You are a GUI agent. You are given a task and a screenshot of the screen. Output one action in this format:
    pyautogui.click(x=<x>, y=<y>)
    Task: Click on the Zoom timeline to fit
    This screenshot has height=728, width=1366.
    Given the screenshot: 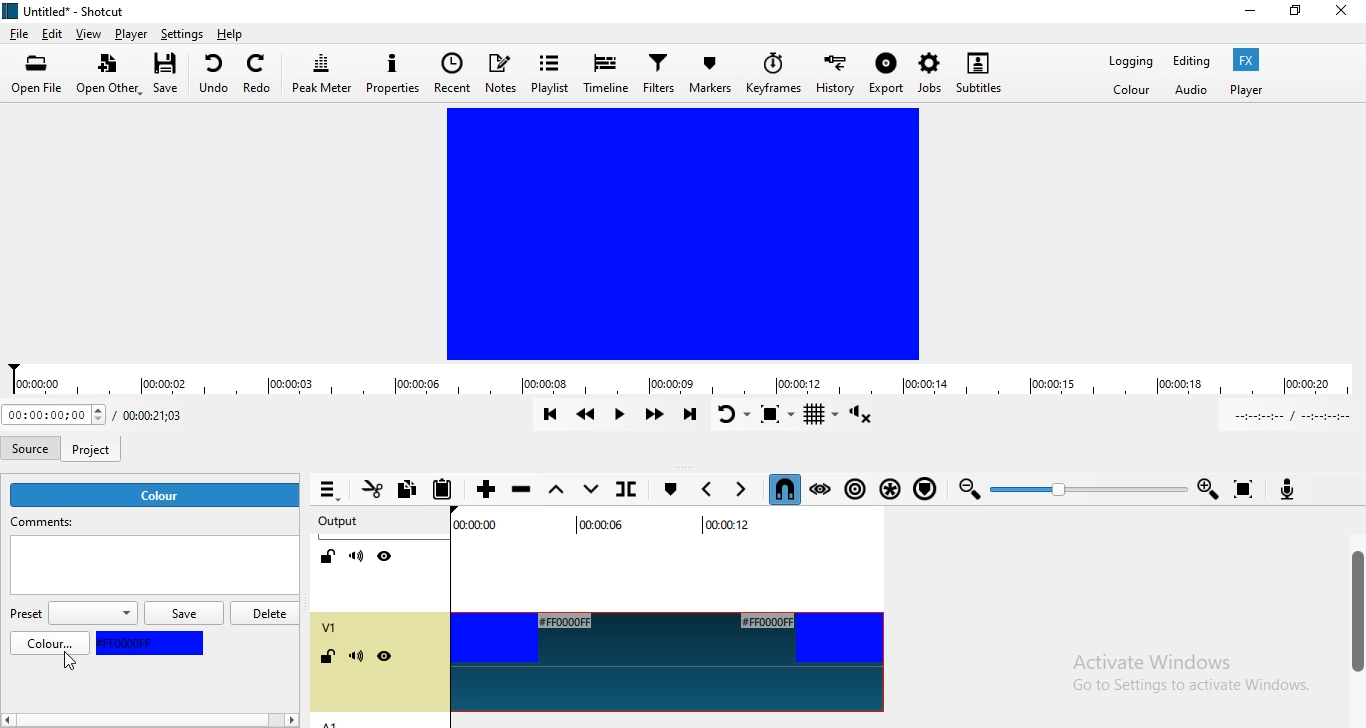 What is the action you would take?
    pyautogui.click(x=1243, y=489)
    